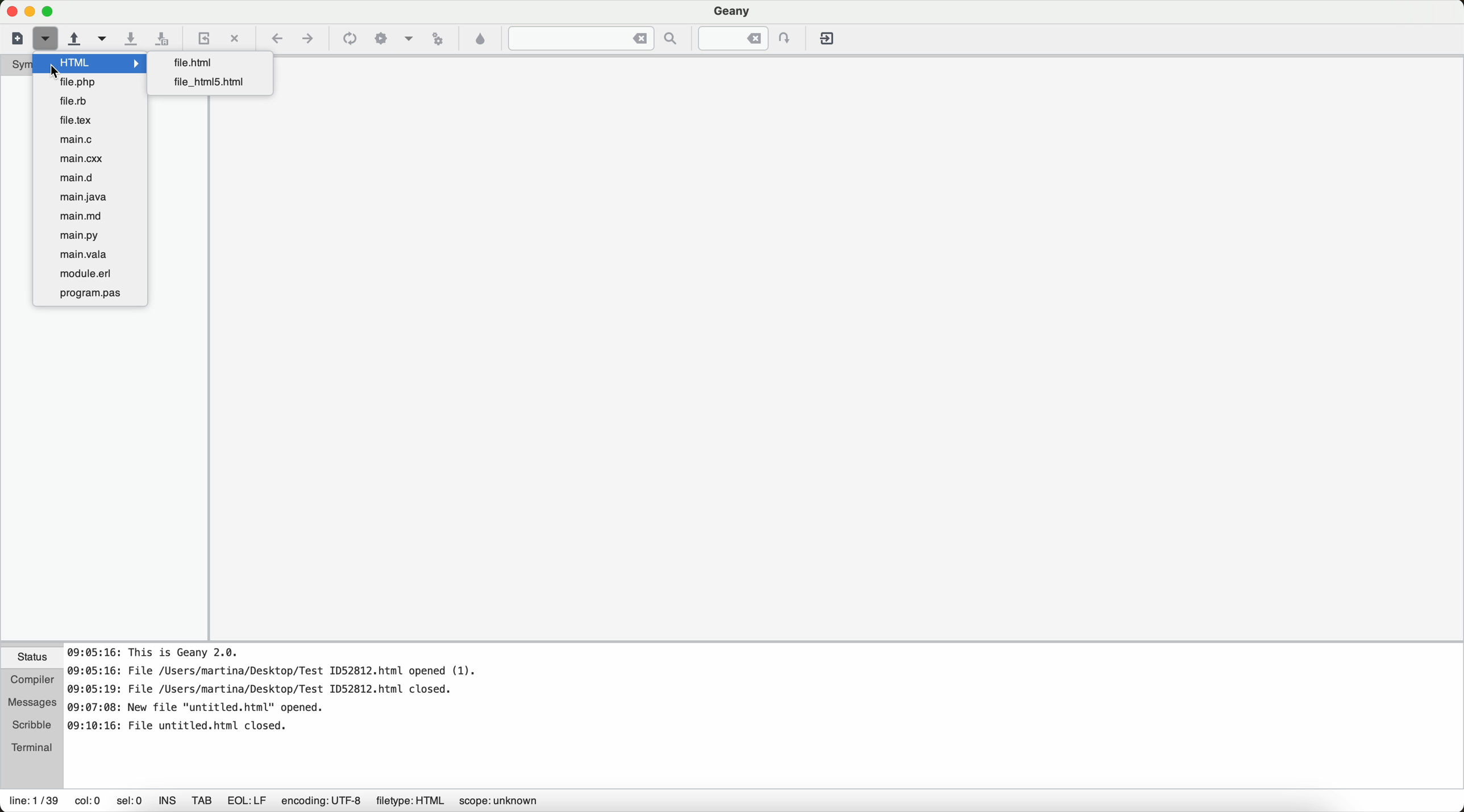 The width and height of the screenshot is (1464, 812). Describe the element at coordinates (410, 41) in the screenshot. I see `choose more build actions` at that location.